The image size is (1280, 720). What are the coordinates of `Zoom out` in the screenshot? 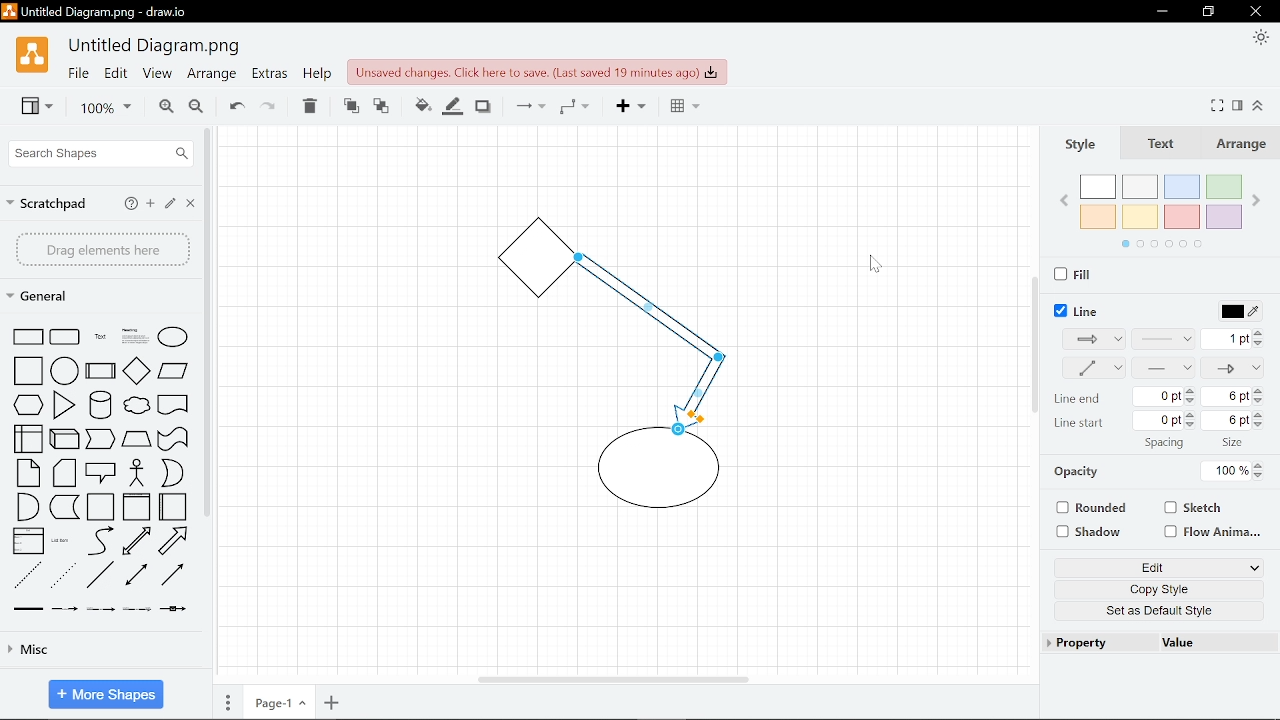 It's located at (196, 107).